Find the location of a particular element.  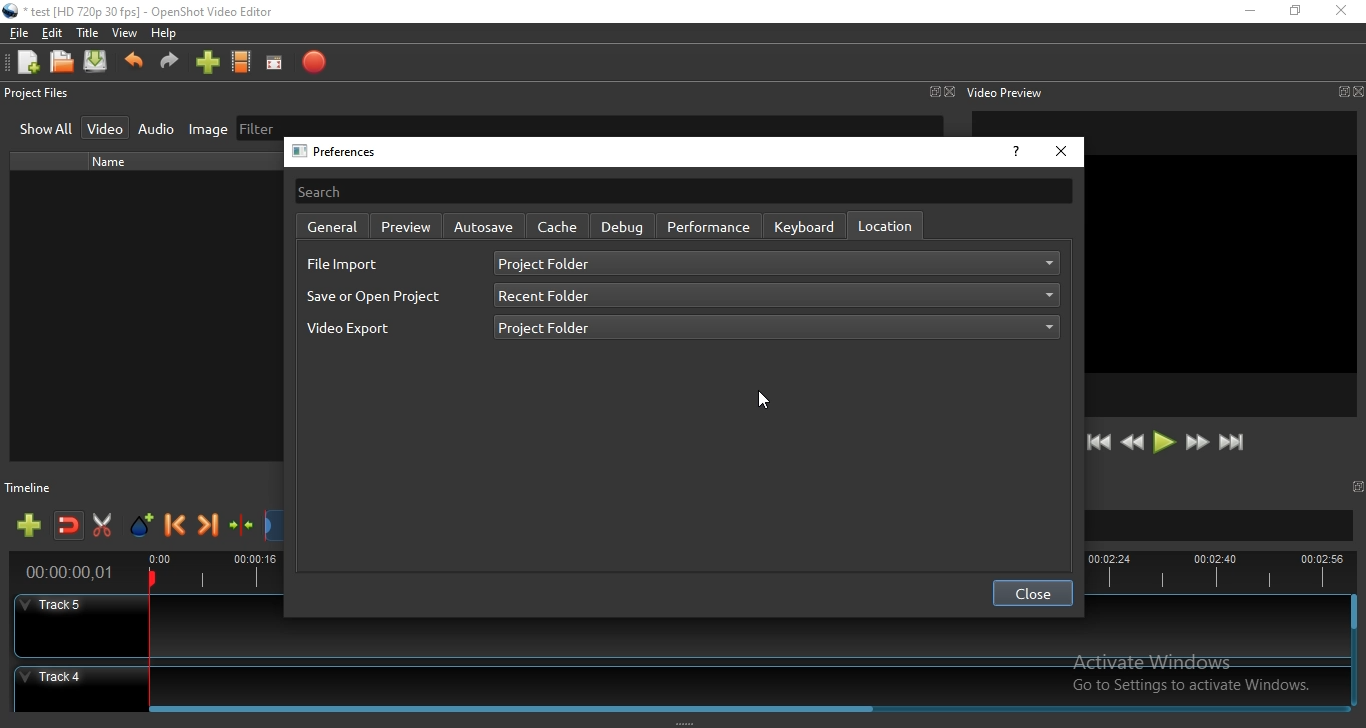

Video is located at coordinates (107, 127).